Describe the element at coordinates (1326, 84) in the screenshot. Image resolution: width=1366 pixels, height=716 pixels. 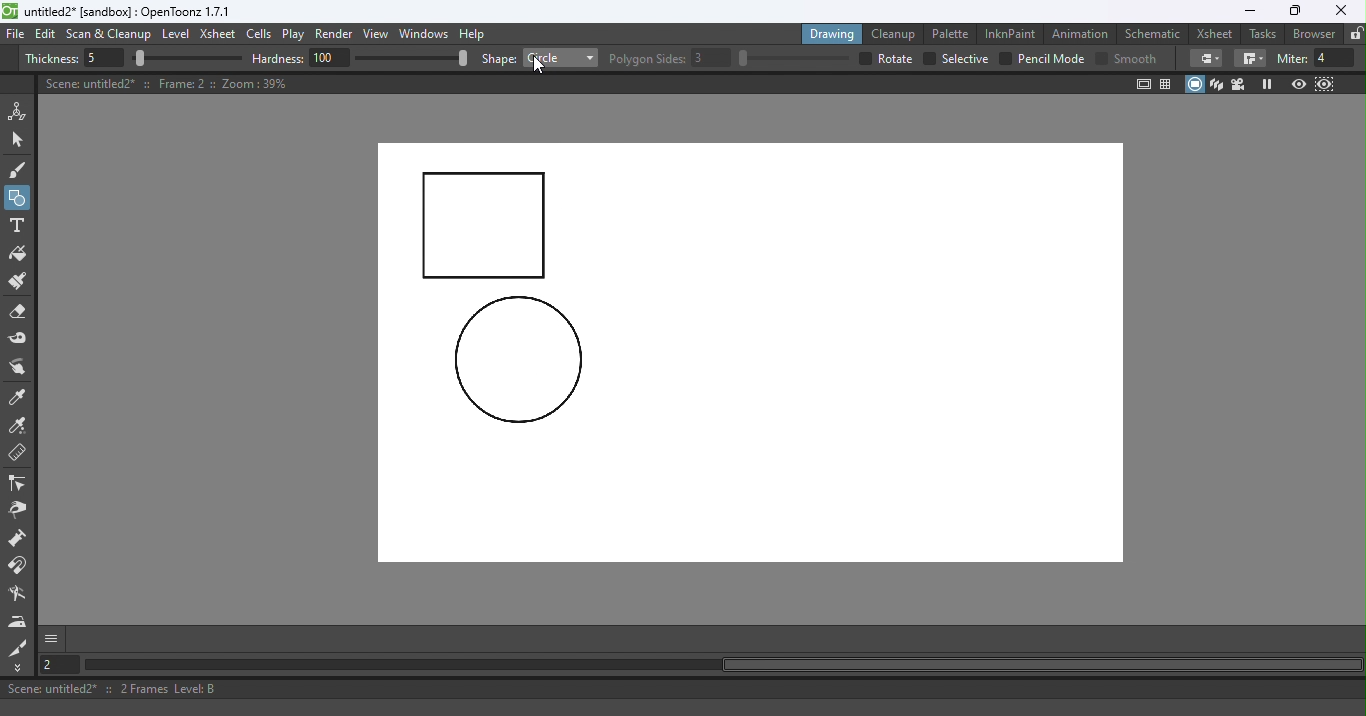
I see `Sub-Camera view` at that location.